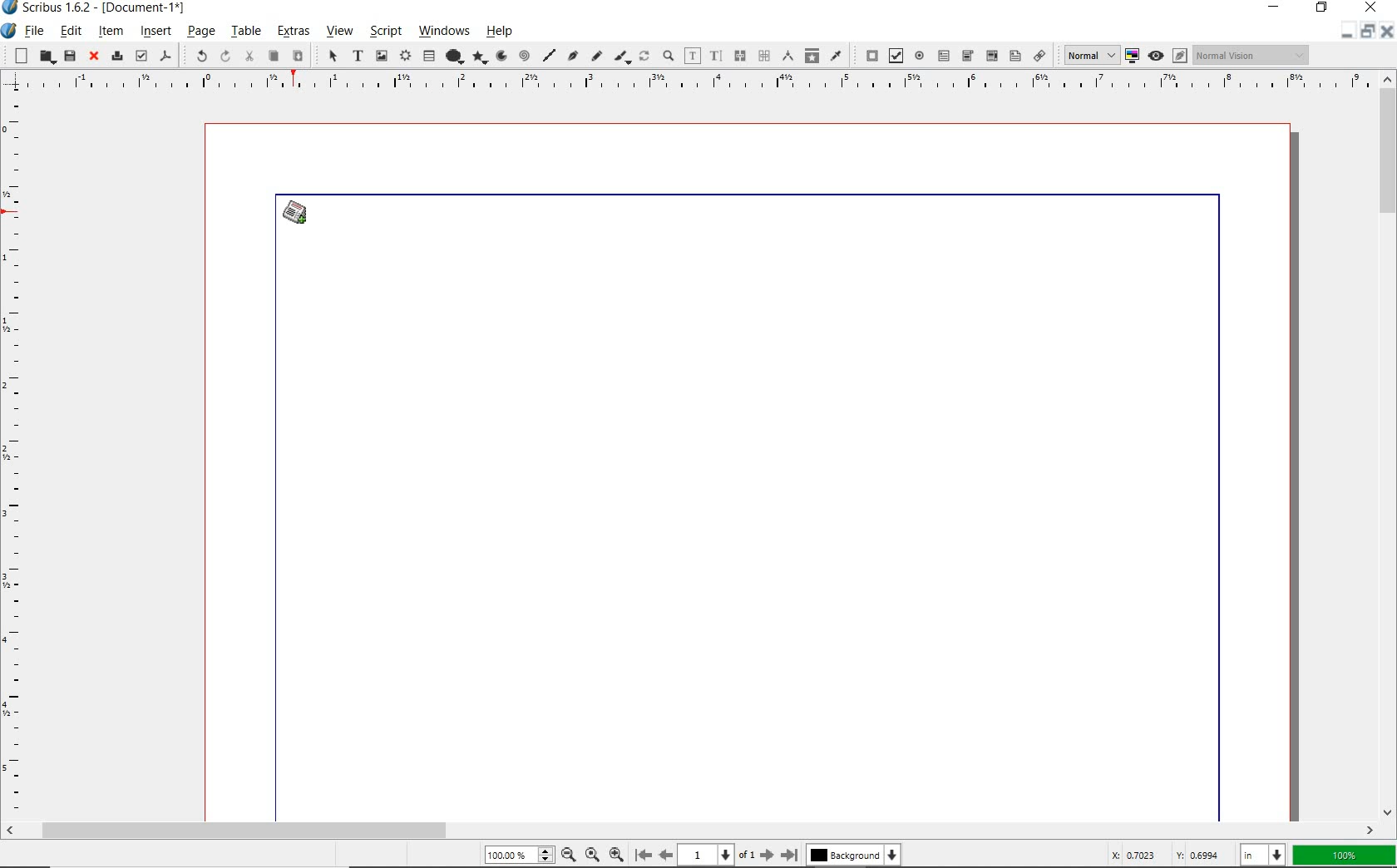 This screenshot has width=1397, height=868. Describe the element at coordinates (716, 56) in the screenshot. I see `edit text with story editor` at that location.